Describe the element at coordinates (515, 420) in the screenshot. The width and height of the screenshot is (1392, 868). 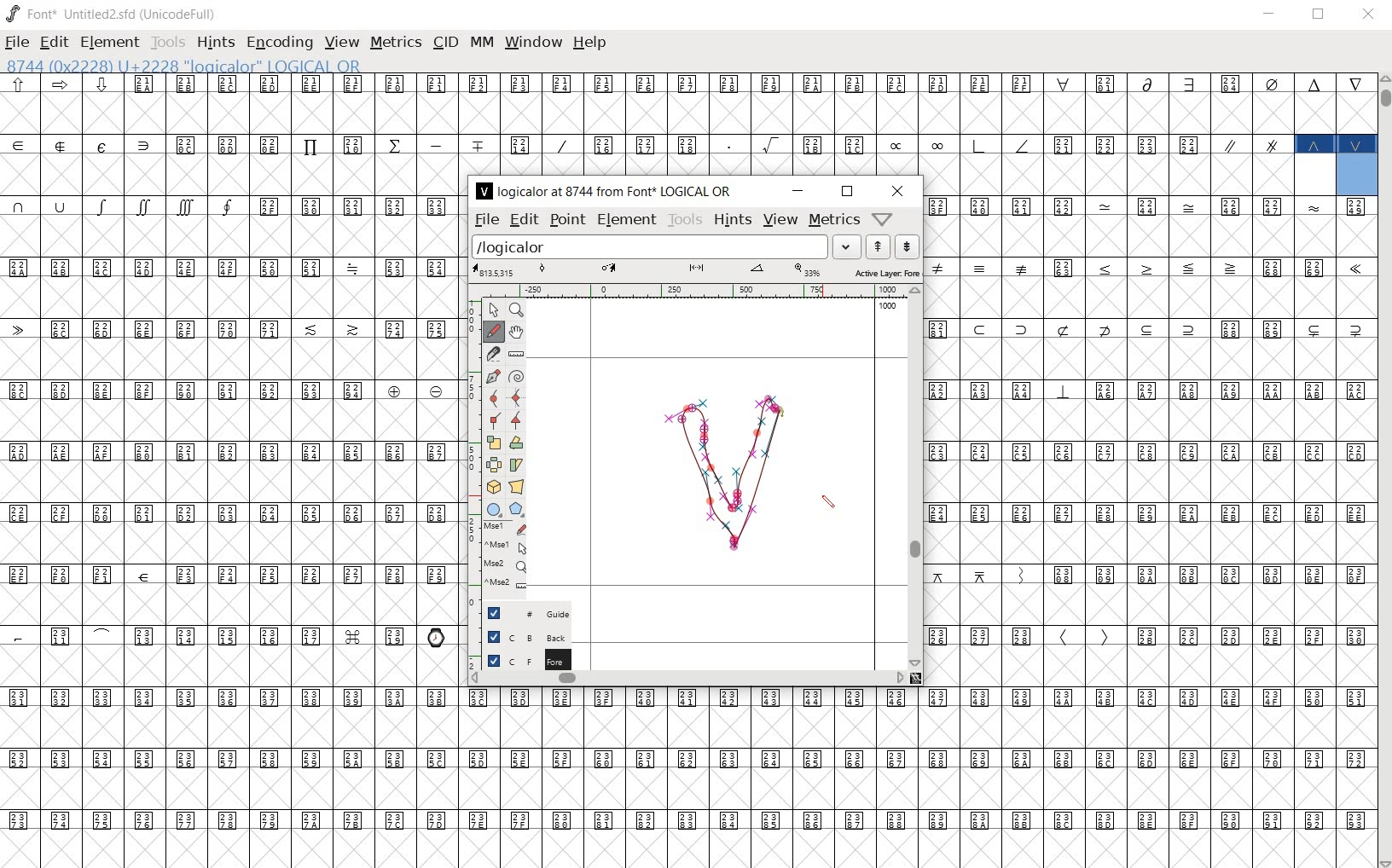
I see `Add a corner point` at that location.